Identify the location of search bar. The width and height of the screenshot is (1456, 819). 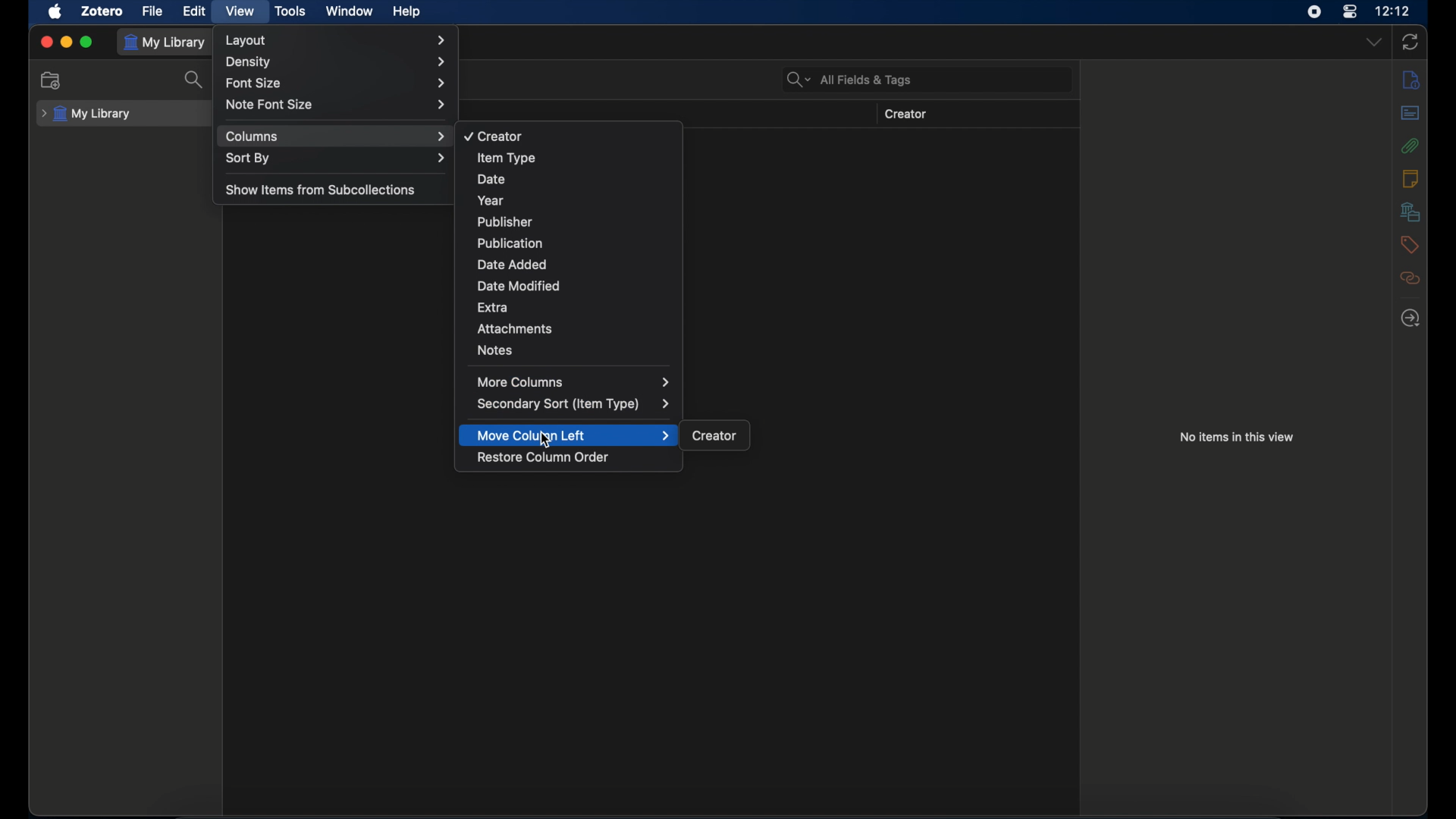
(849, 79).